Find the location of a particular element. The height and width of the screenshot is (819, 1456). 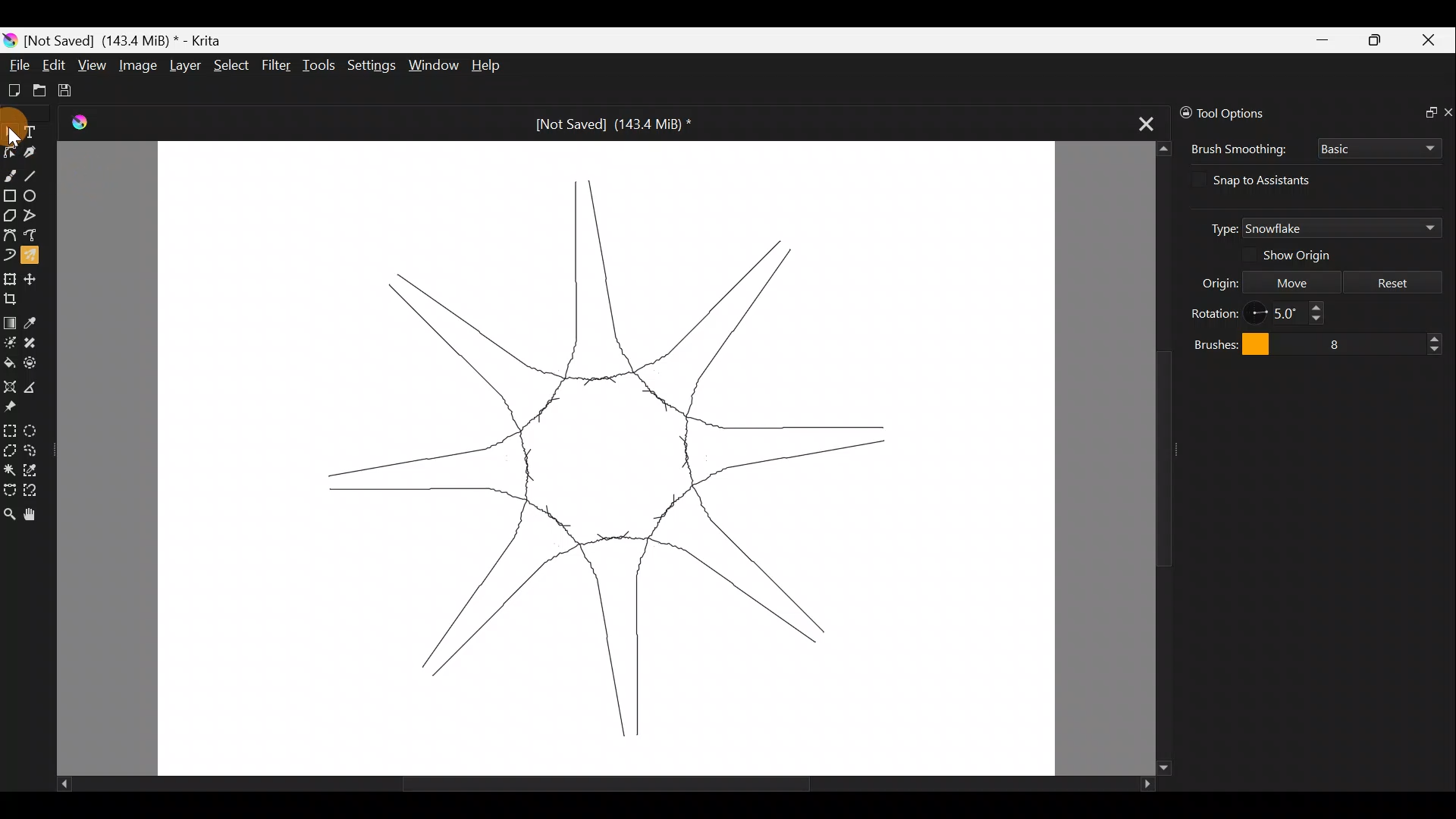

View is located at coordinates (92, 65).